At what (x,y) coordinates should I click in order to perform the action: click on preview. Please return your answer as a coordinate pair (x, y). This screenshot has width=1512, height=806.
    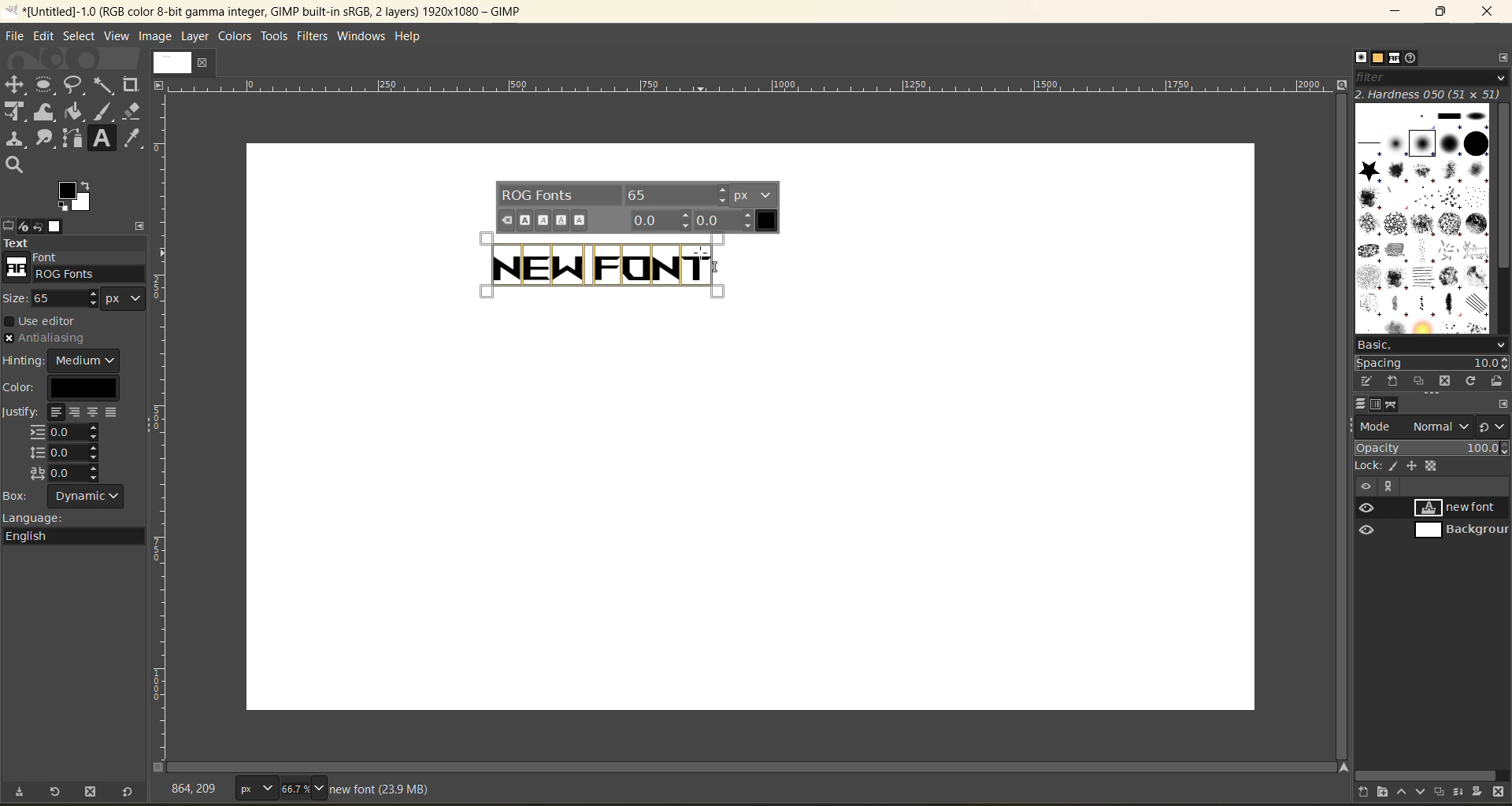
    Looking at the image, I should click on (1369, 520).